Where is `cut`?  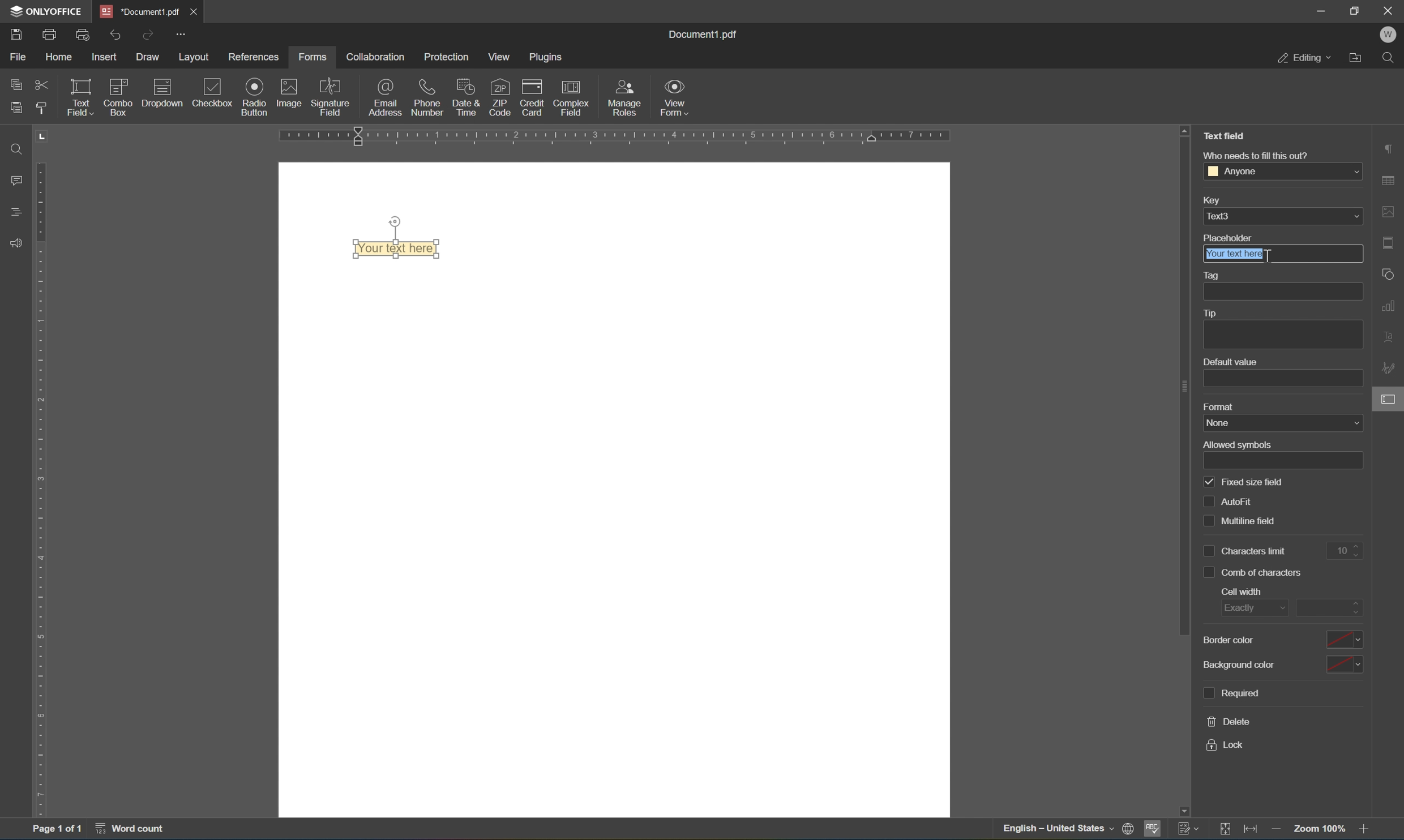
cut is located at coordinates (43, 84).